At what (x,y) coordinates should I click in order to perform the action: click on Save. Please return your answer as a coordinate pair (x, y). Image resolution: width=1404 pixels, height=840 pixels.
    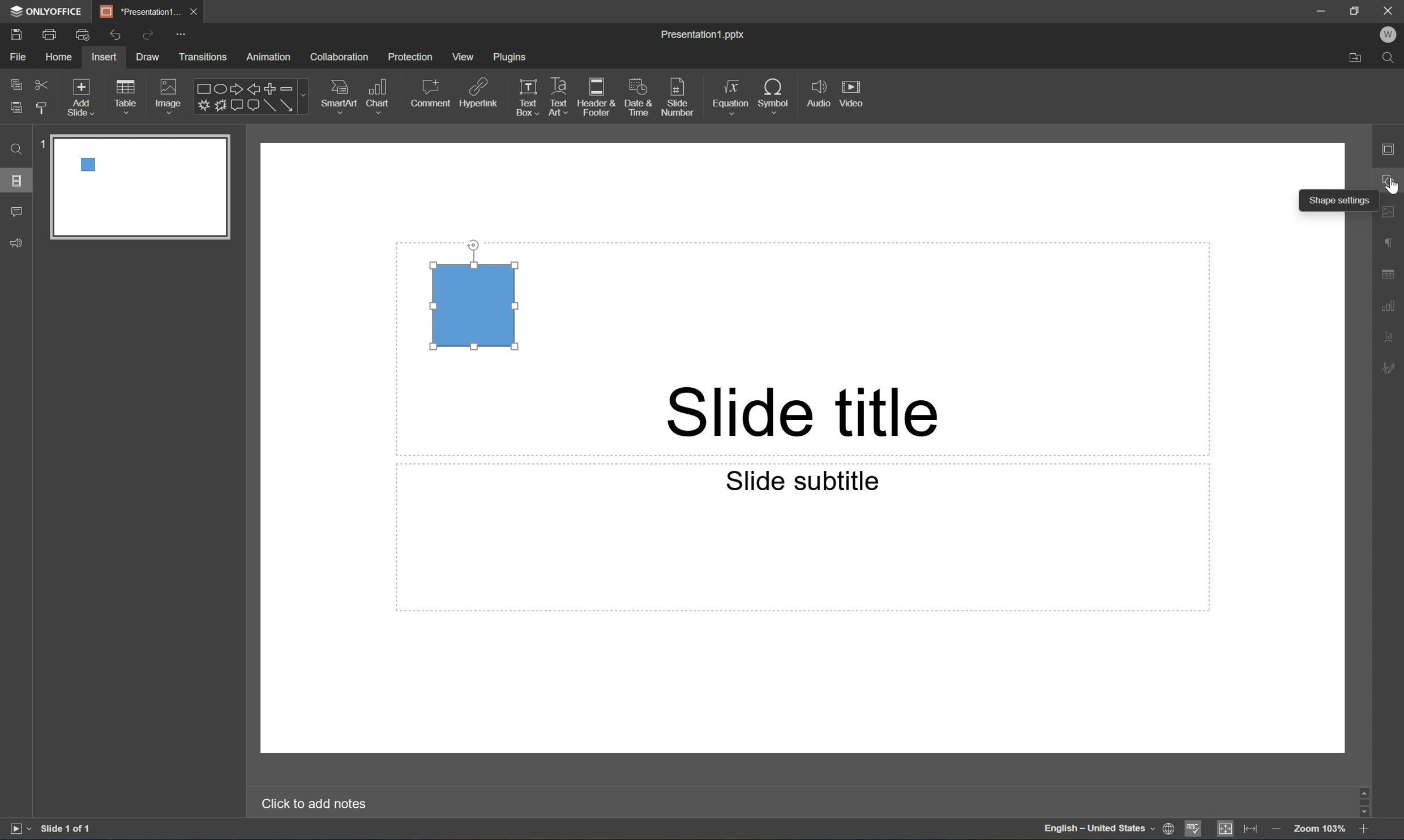
    Looking at the image, I should click on (15, 33).